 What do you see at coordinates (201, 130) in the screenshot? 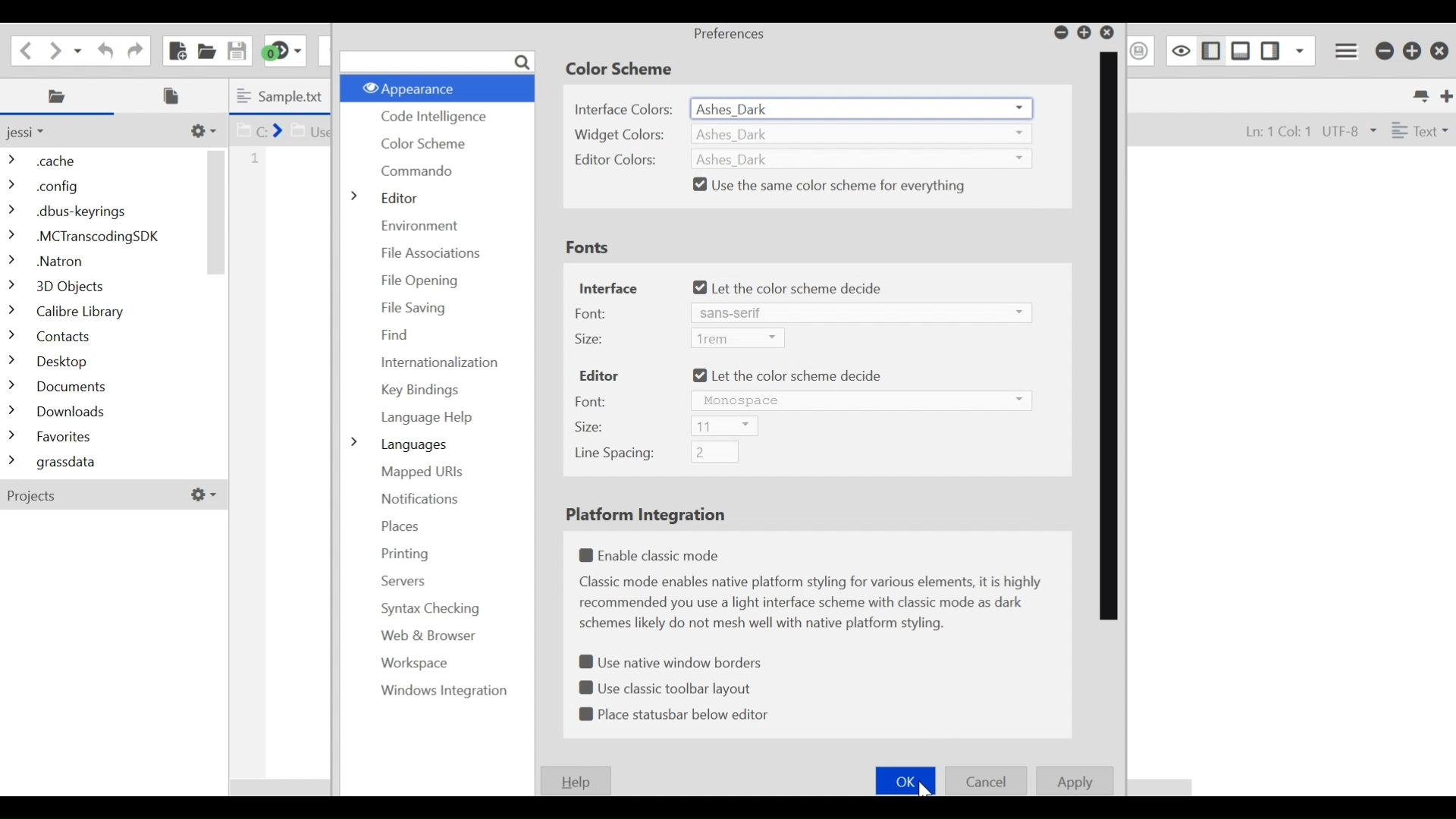
I see `Customize` at bounding box center [201, 130].